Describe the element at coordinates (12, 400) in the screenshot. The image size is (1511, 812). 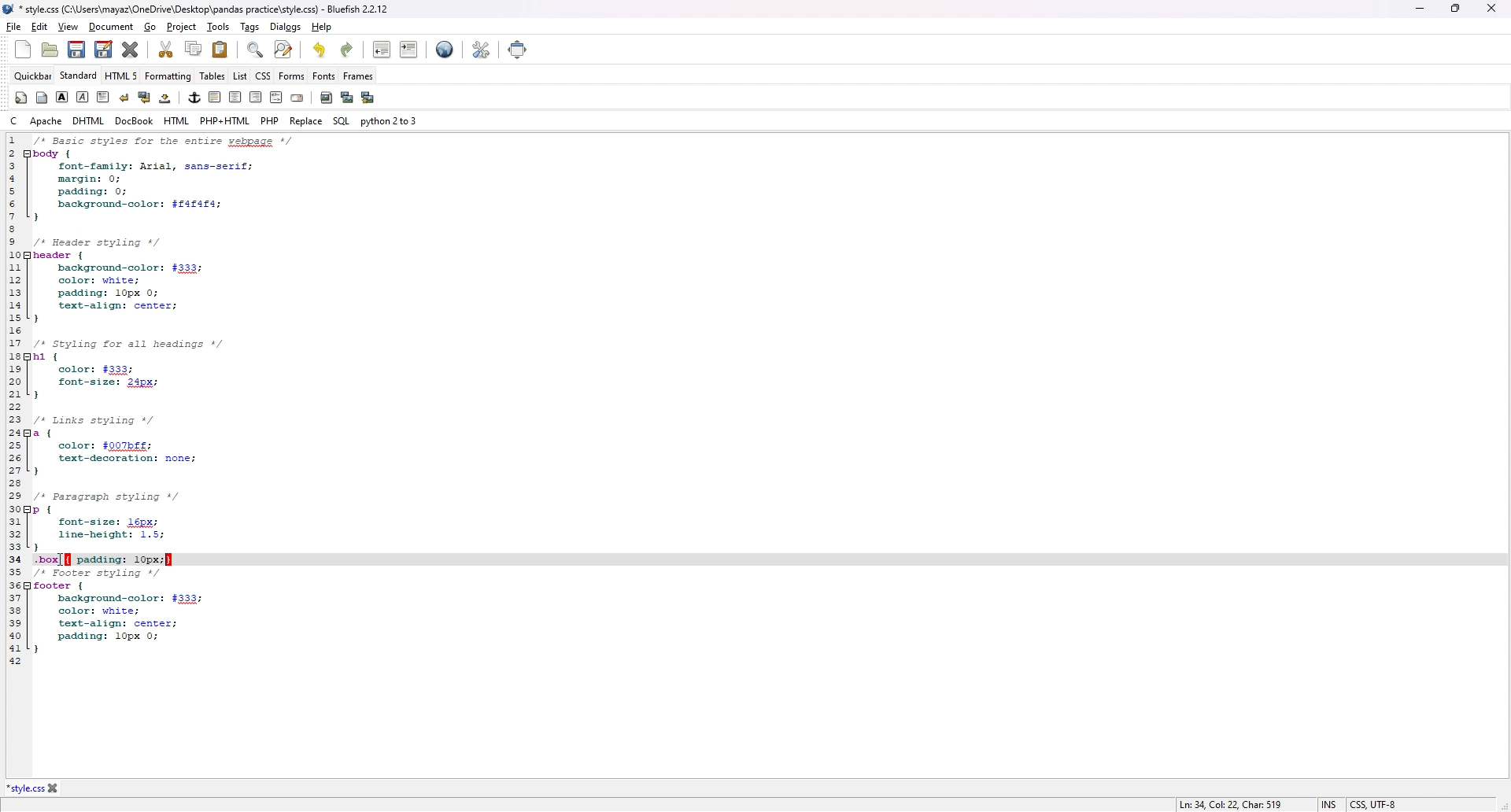
I see `line number` at that location.